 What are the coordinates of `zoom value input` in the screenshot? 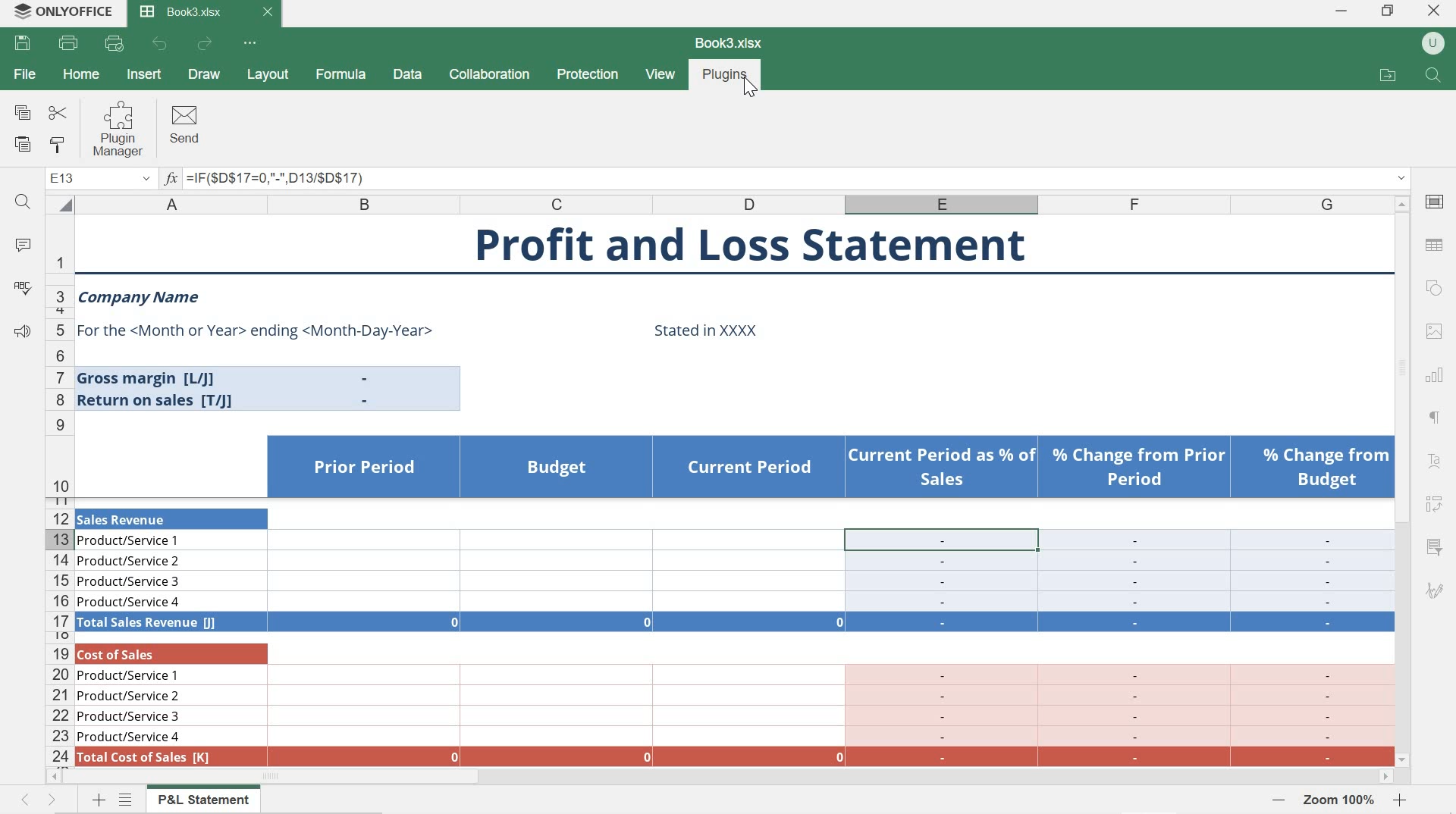 It's located at (1341, 800).